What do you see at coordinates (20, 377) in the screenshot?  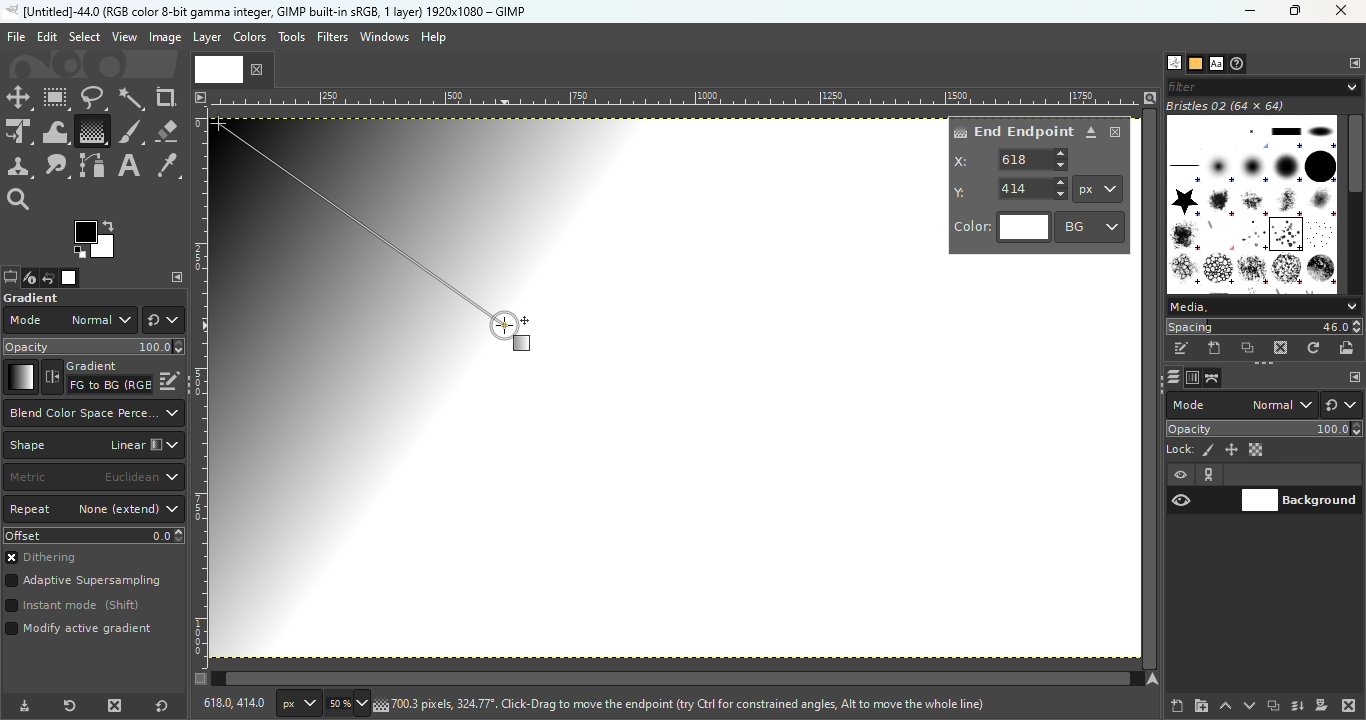 I see `Gradient` at bounding box center [20, 377].